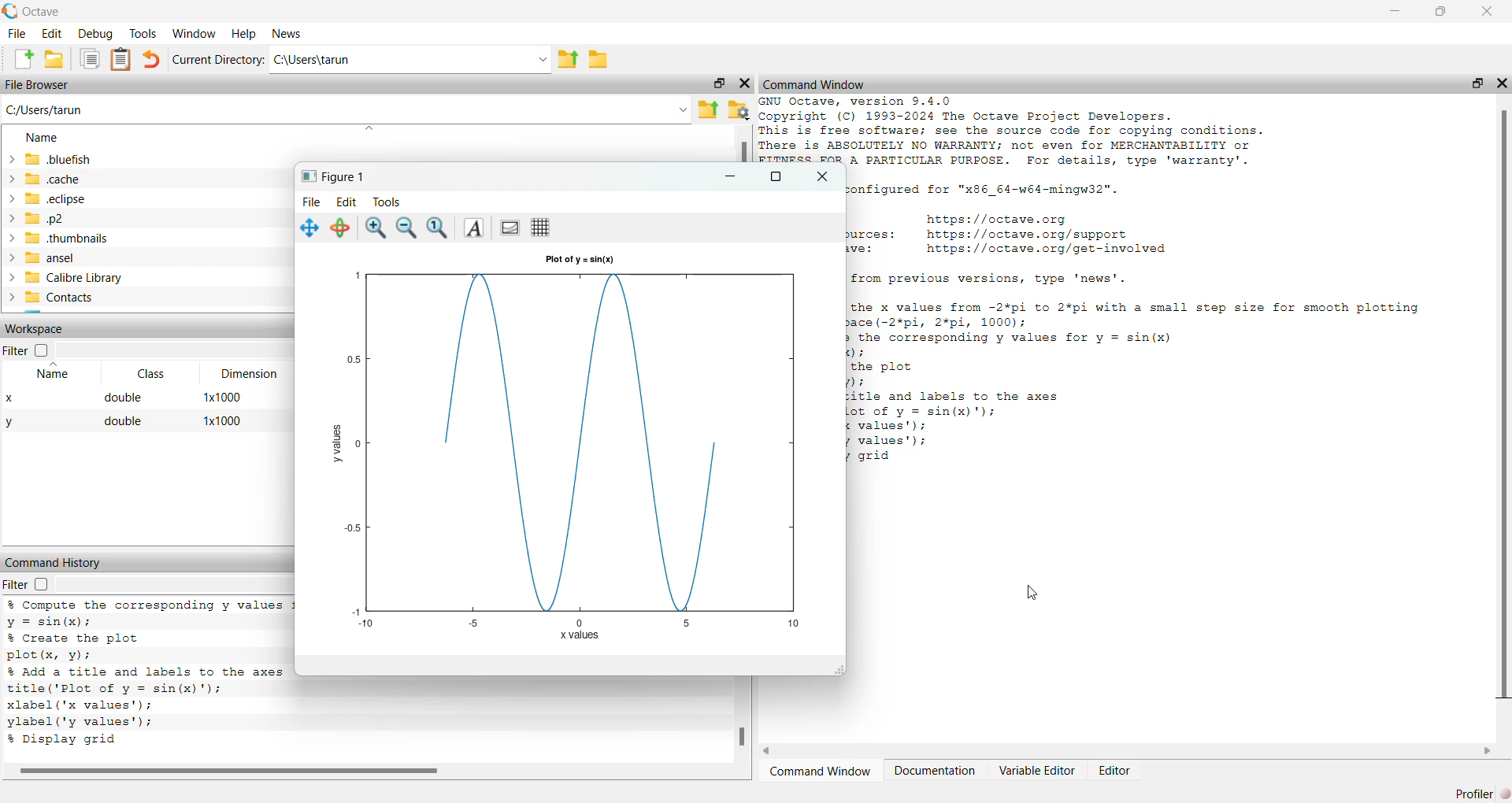  What do you see at coordinates (196, 33) in the screenshot?
I see `Window` at bounding box center [196, 33].